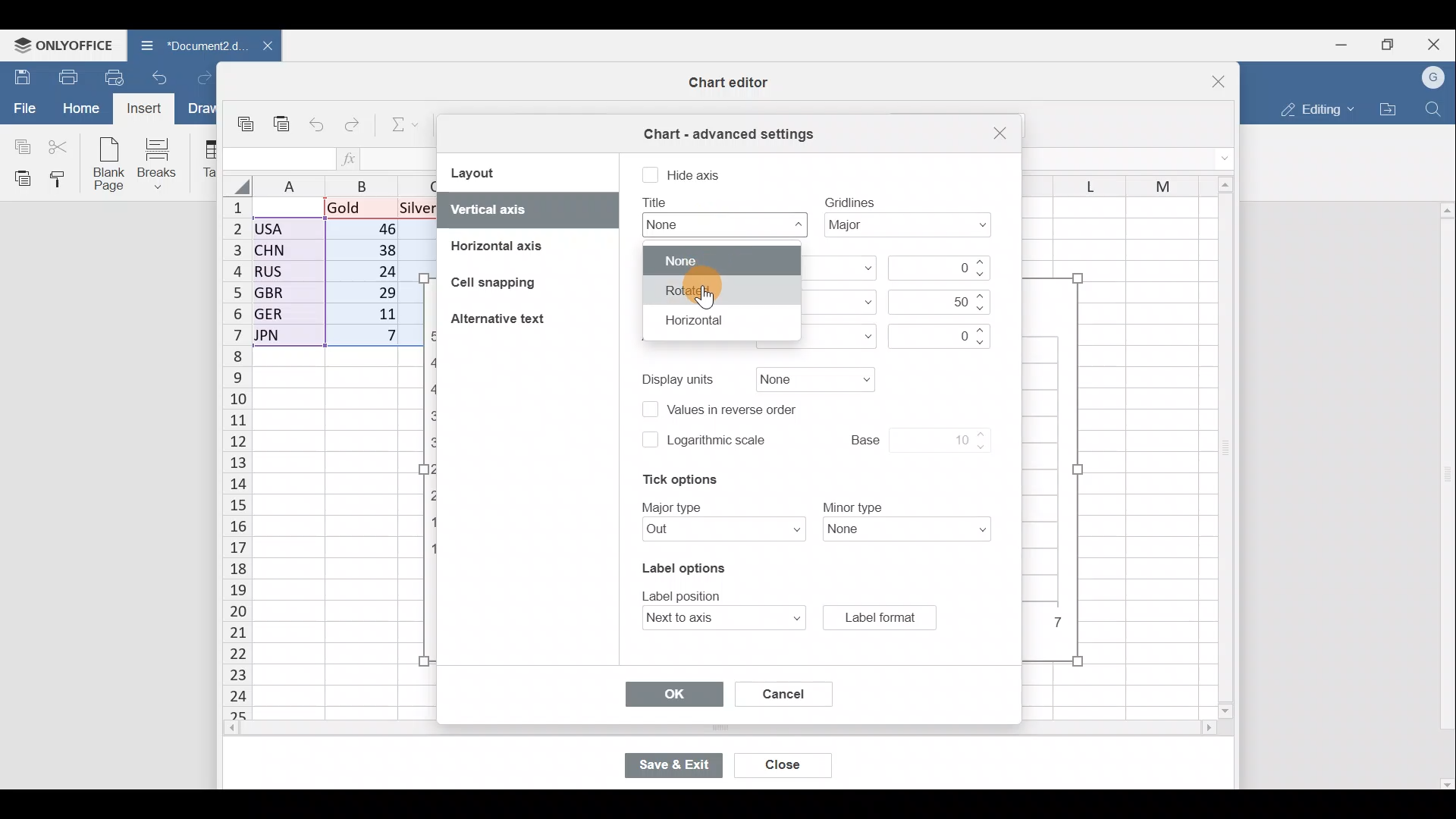 This screenshot has height=819, width=1456. Describe the element at coordinates (673, 480) in the screenshot. I see `Tick options` at that location.